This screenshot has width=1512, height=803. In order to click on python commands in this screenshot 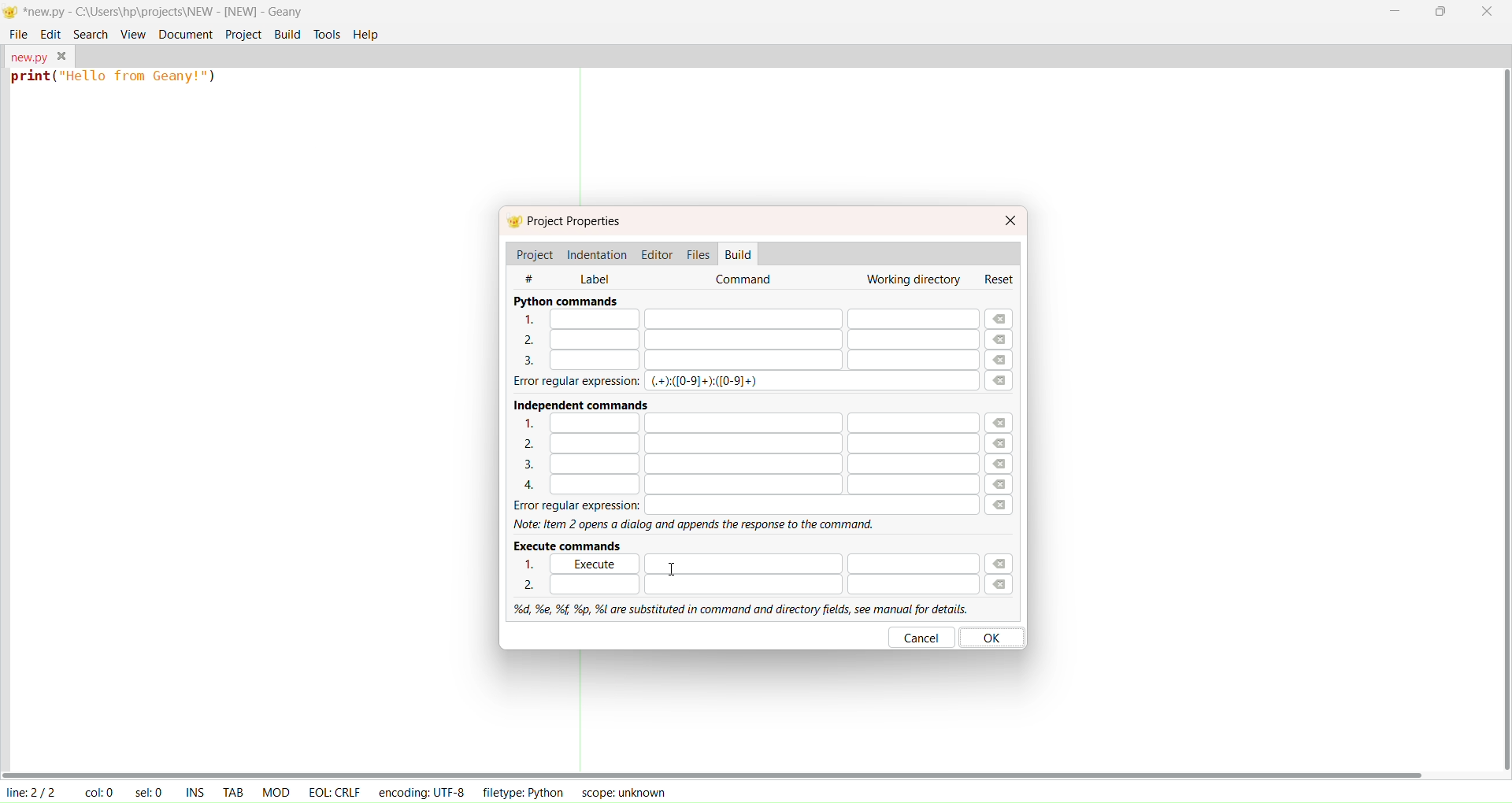, I will do `click(565, 301)`.